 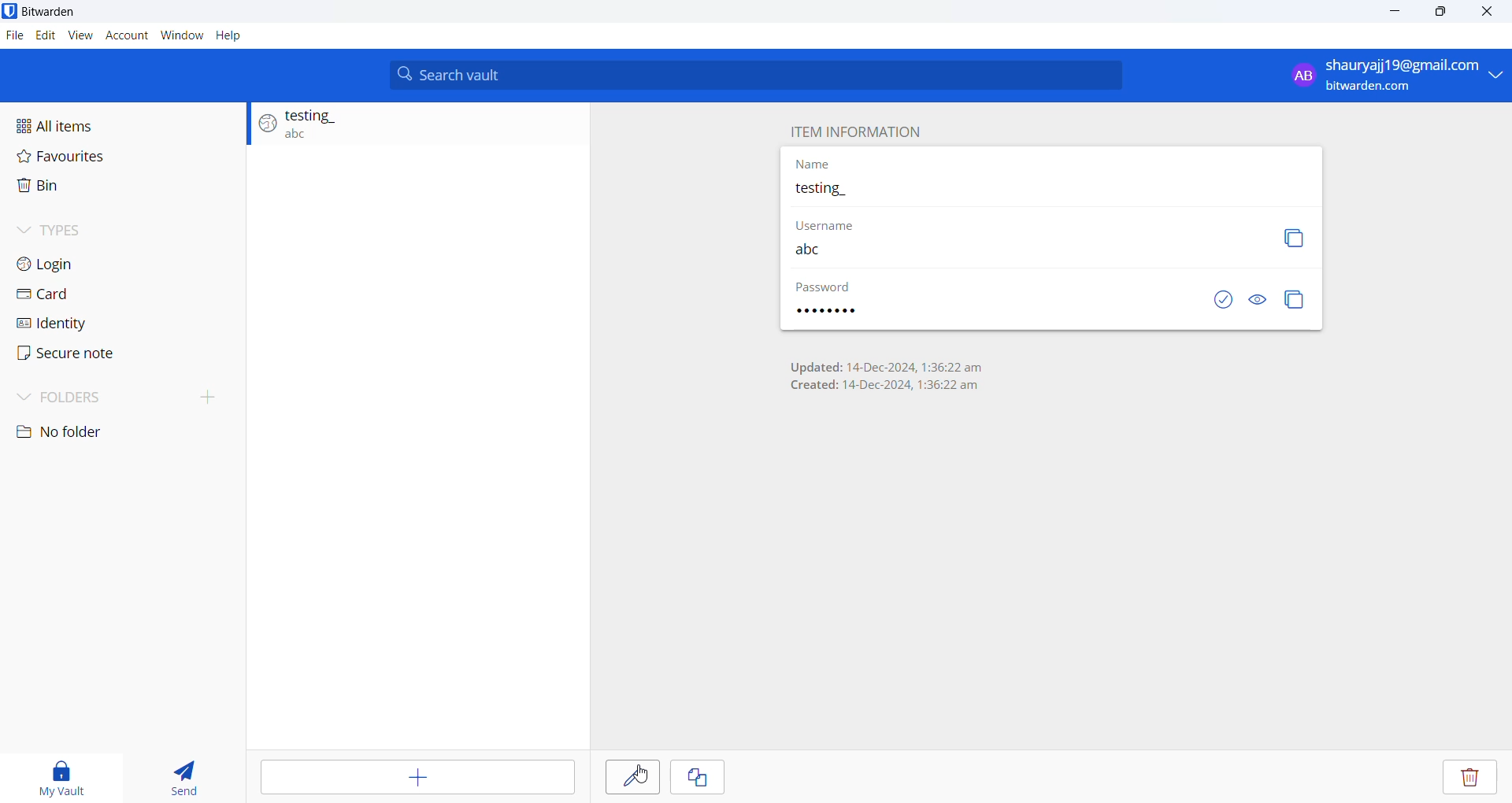 I want to click on Close, so click(x=1492, y=14).